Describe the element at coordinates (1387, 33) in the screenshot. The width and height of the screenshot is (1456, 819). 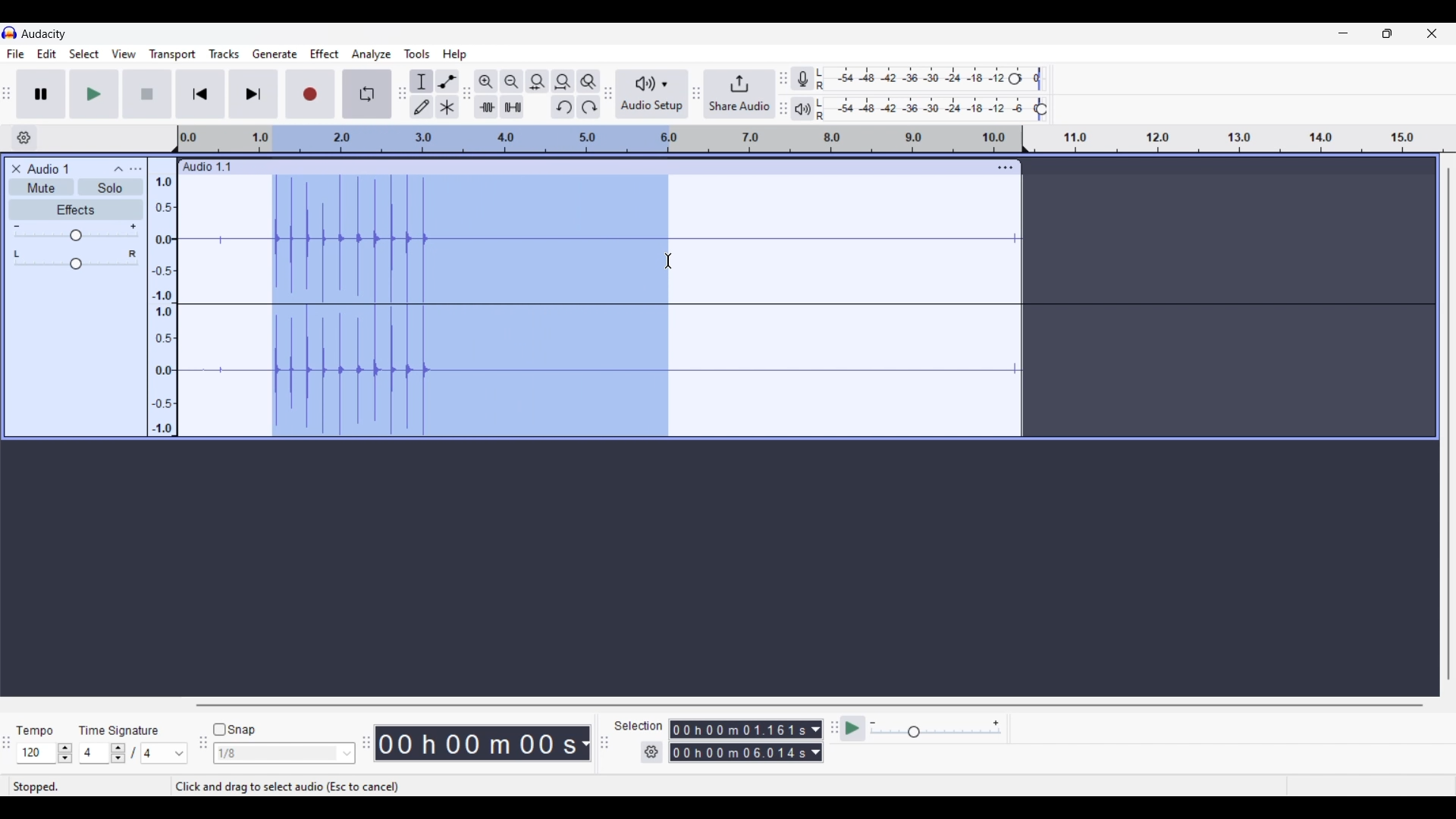
I see `Show interface in a smaller tab` at that location.